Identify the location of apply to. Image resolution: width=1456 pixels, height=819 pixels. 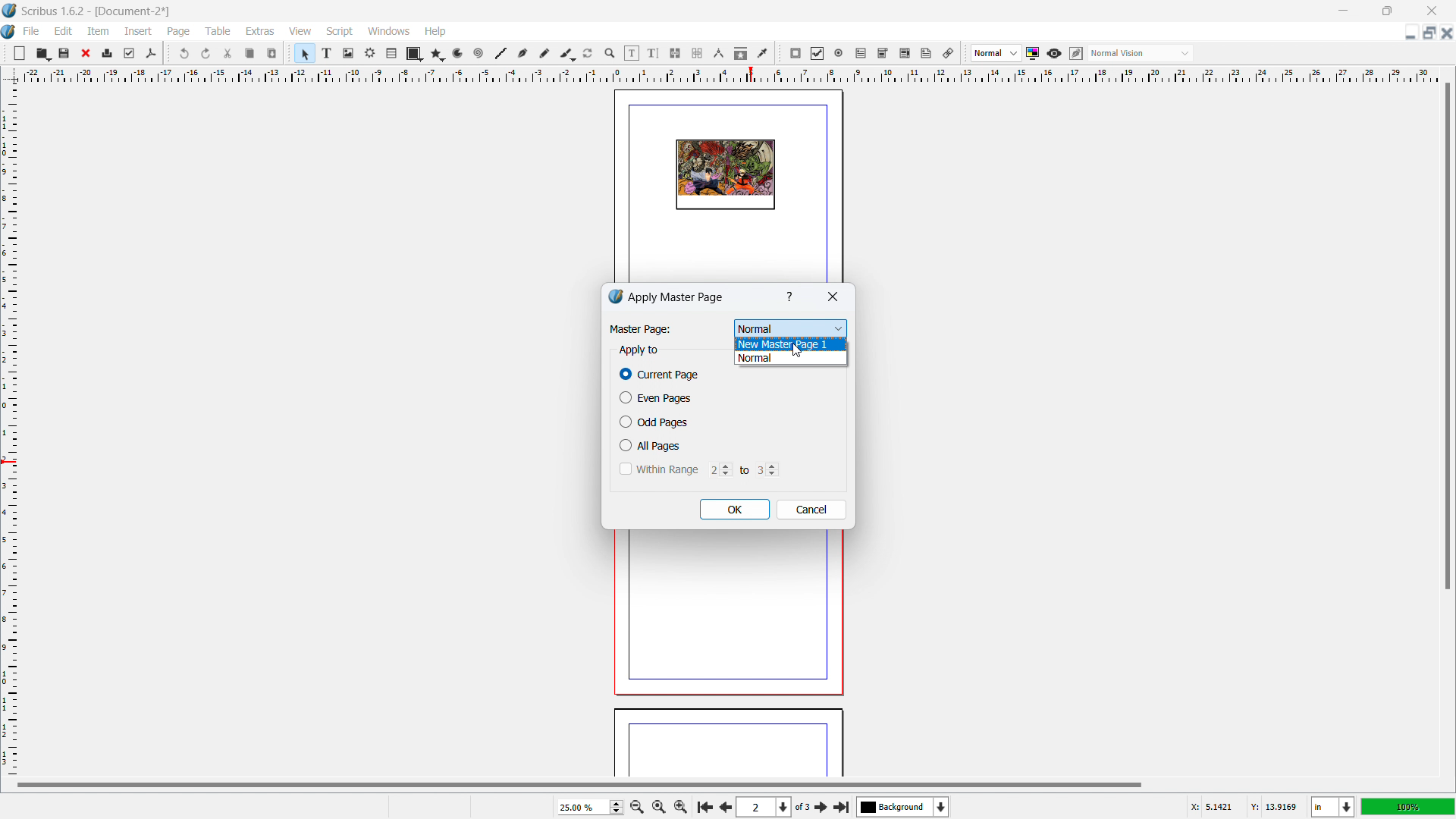
(639, 350).